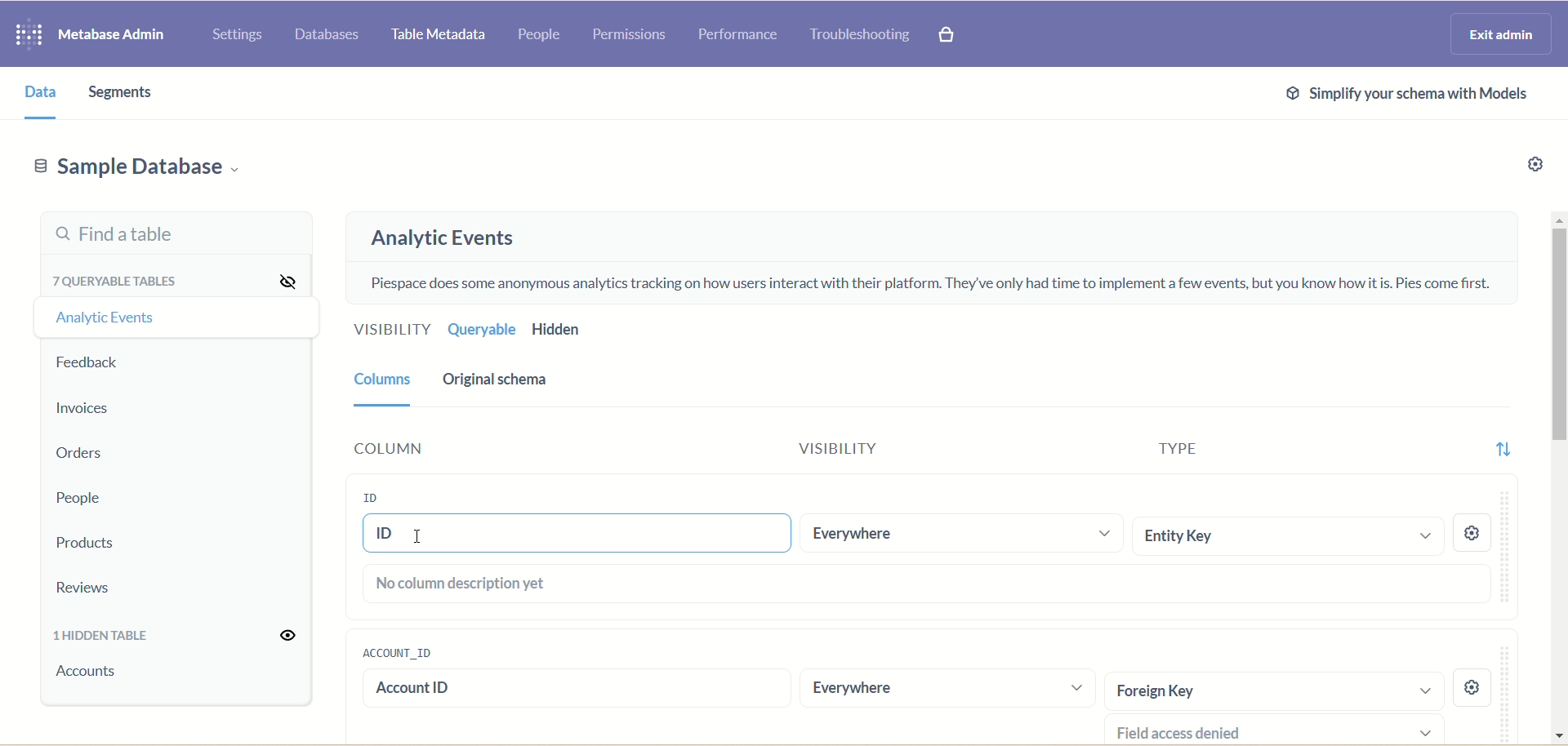  Describe the element at coordinates (537, 688) in the screenshot. I see `account id` at that location.